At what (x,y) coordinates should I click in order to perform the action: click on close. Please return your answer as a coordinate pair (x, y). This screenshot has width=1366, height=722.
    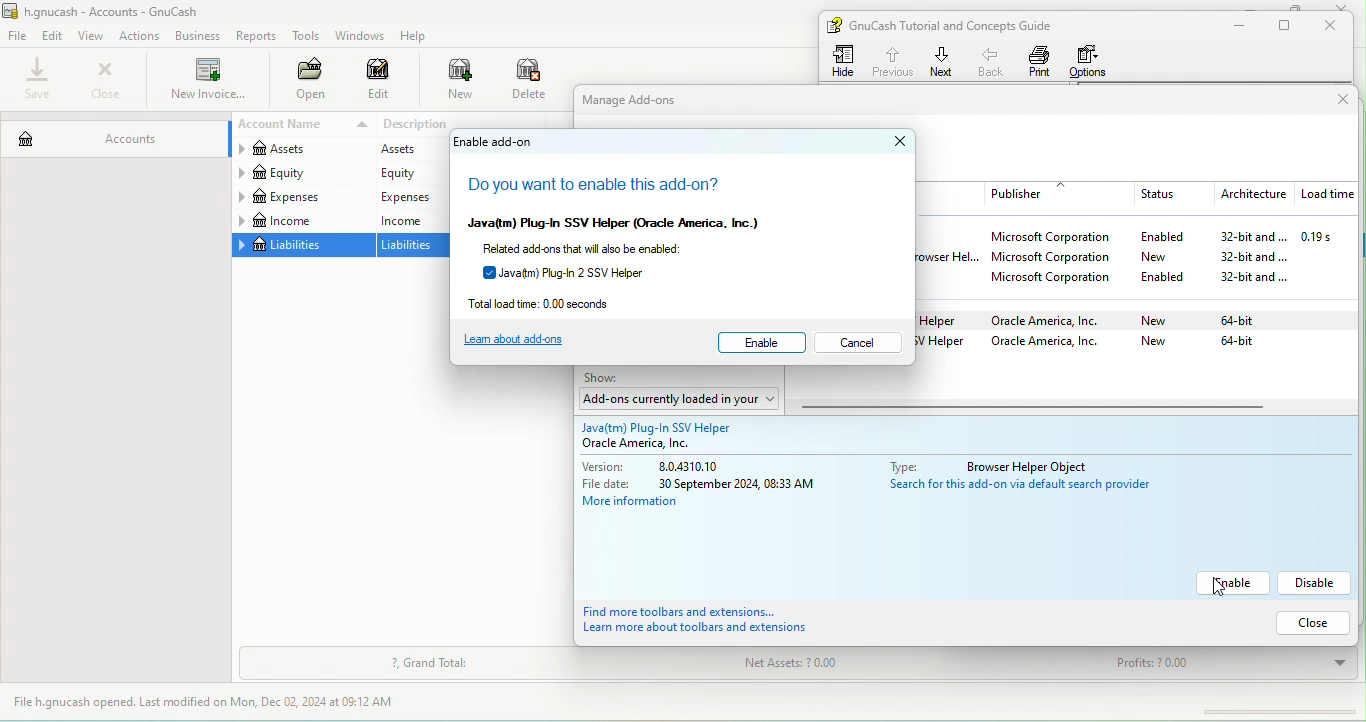
    Looking at the image, I should click on (105, 80).